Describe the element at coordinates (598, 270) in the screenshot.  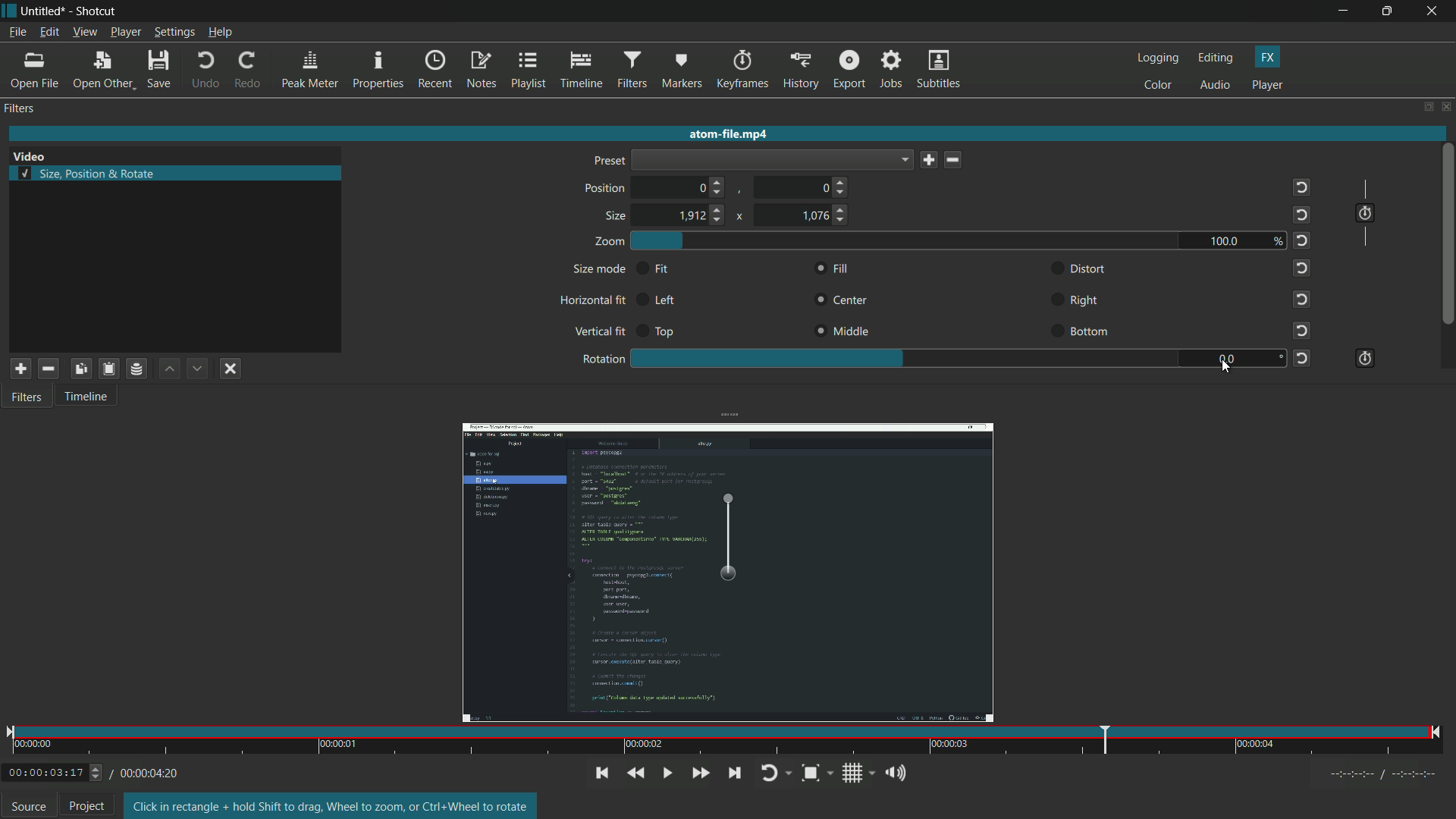
I see `size mode` at that location.